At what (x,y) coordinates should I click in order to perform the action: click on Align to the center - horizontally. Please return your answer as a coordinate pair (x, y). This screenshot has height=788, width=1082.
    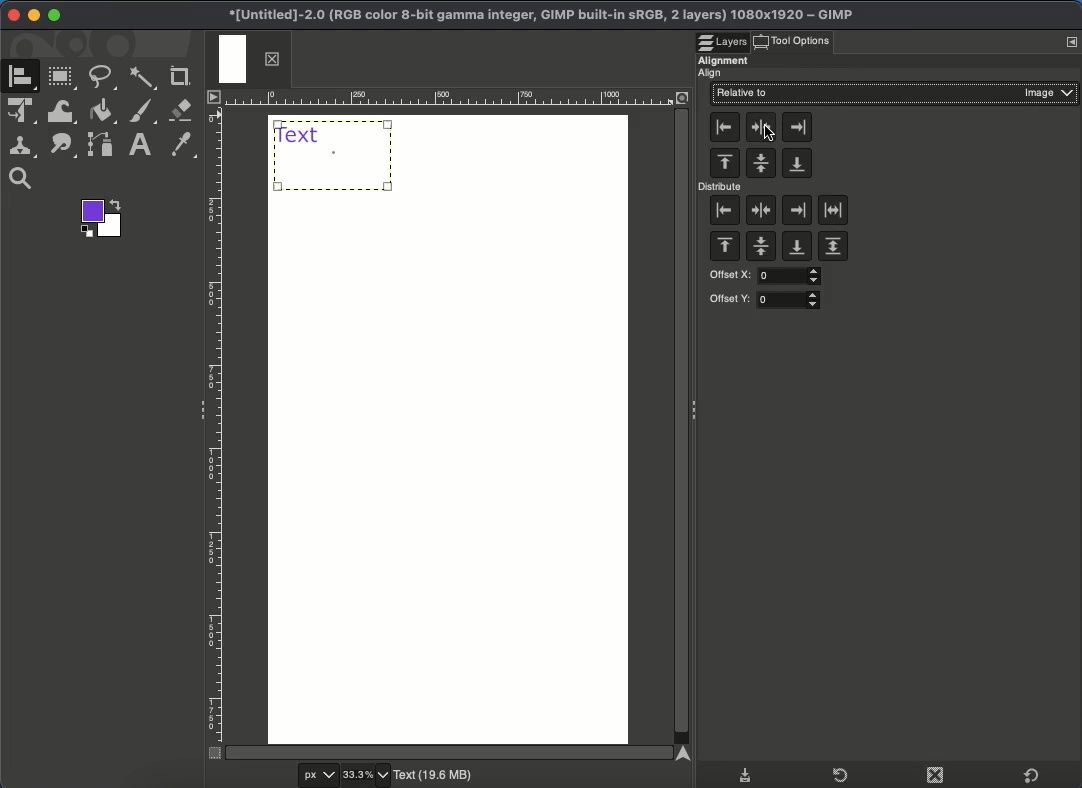
    Looking at the image, I should click on (760, 164).